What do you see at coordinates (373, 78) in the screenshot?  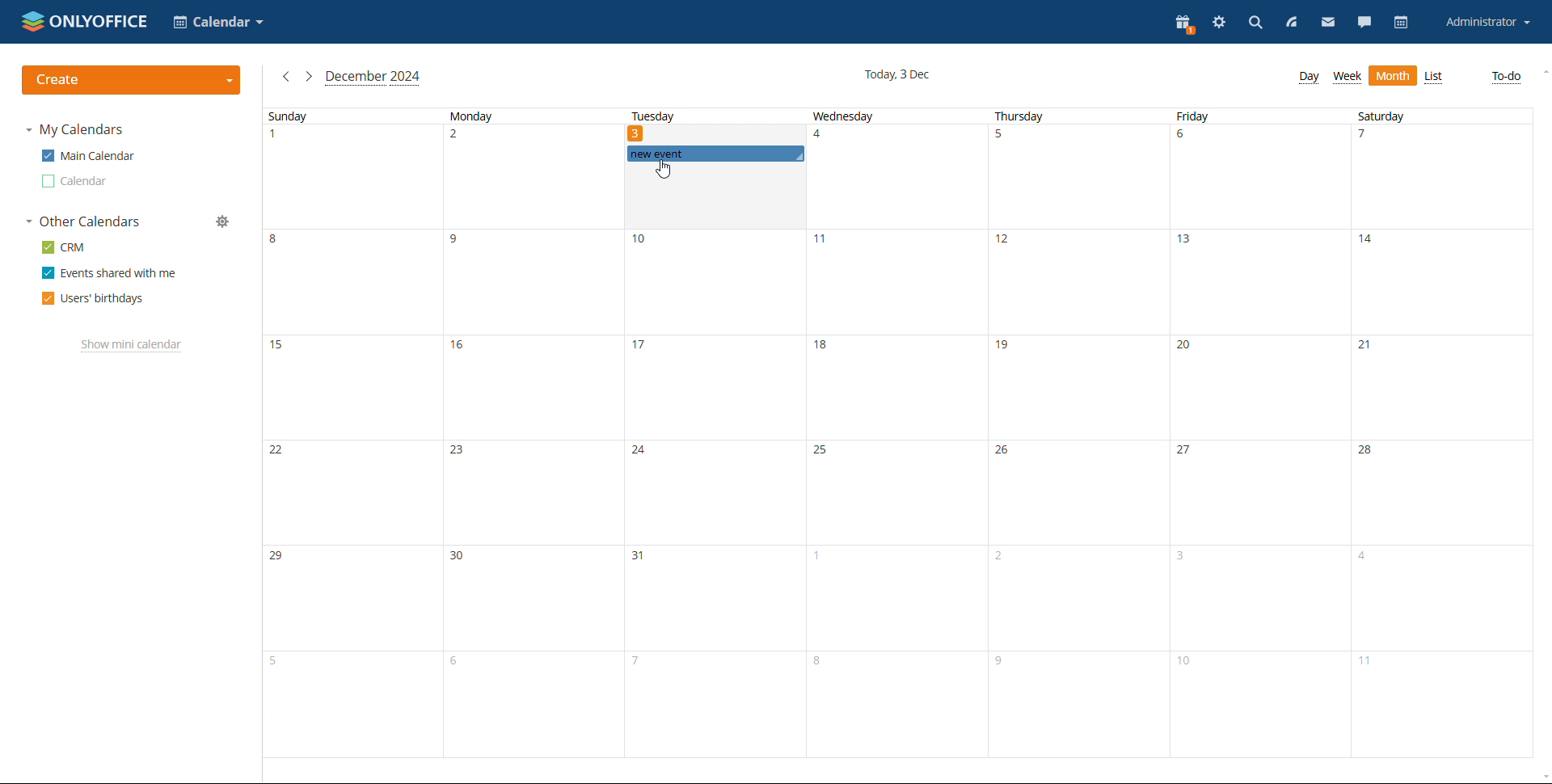 I see `this month` at bounding box center [373, 78].